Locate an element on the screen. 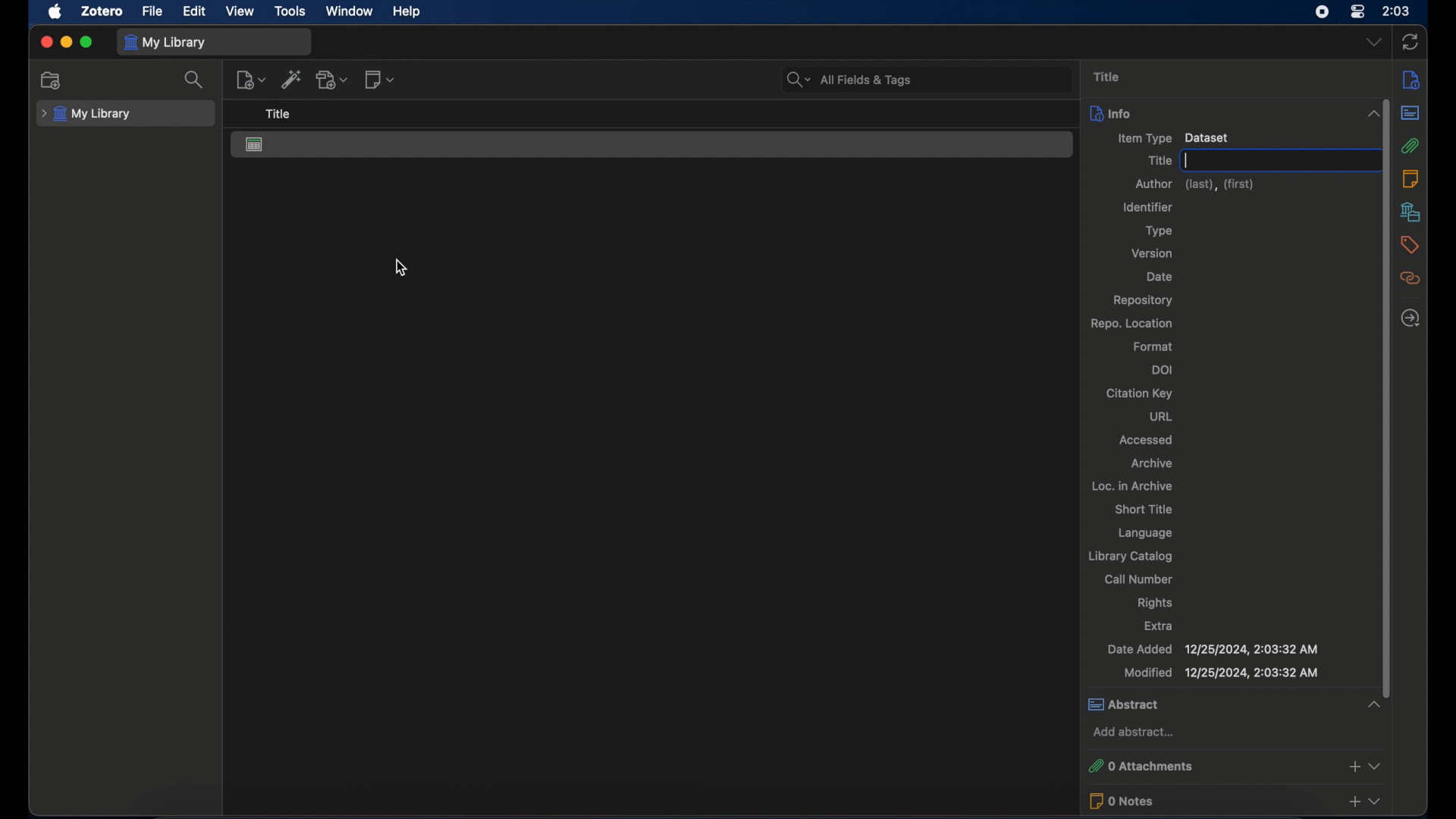 The image size is (1456, 819). version is located at coordinates (1152, 253).